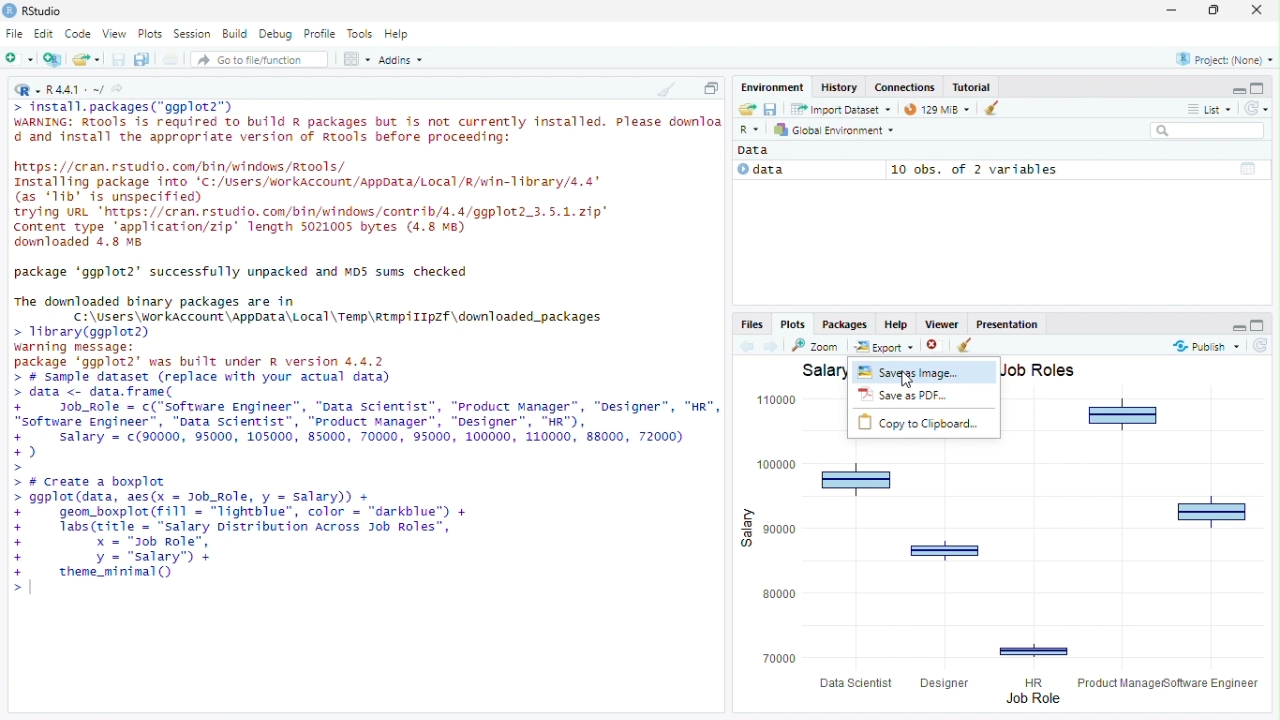 This screenshot has height=720, width=1280. I want to click on Help, so click(896, 323).